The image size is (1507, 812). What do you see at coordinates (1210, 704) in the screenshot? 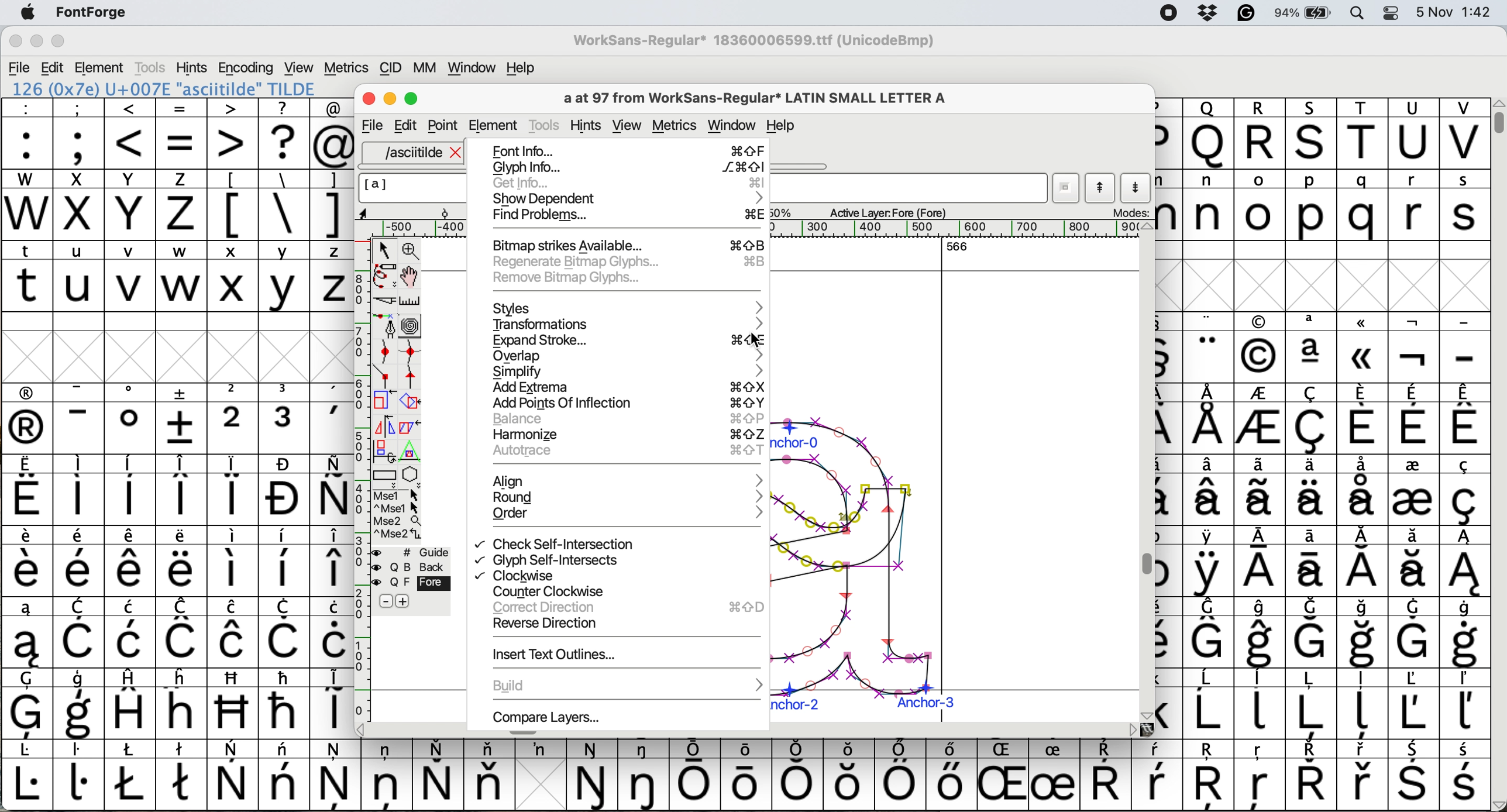
I see `symbol` at bounding box center [1210, 704].